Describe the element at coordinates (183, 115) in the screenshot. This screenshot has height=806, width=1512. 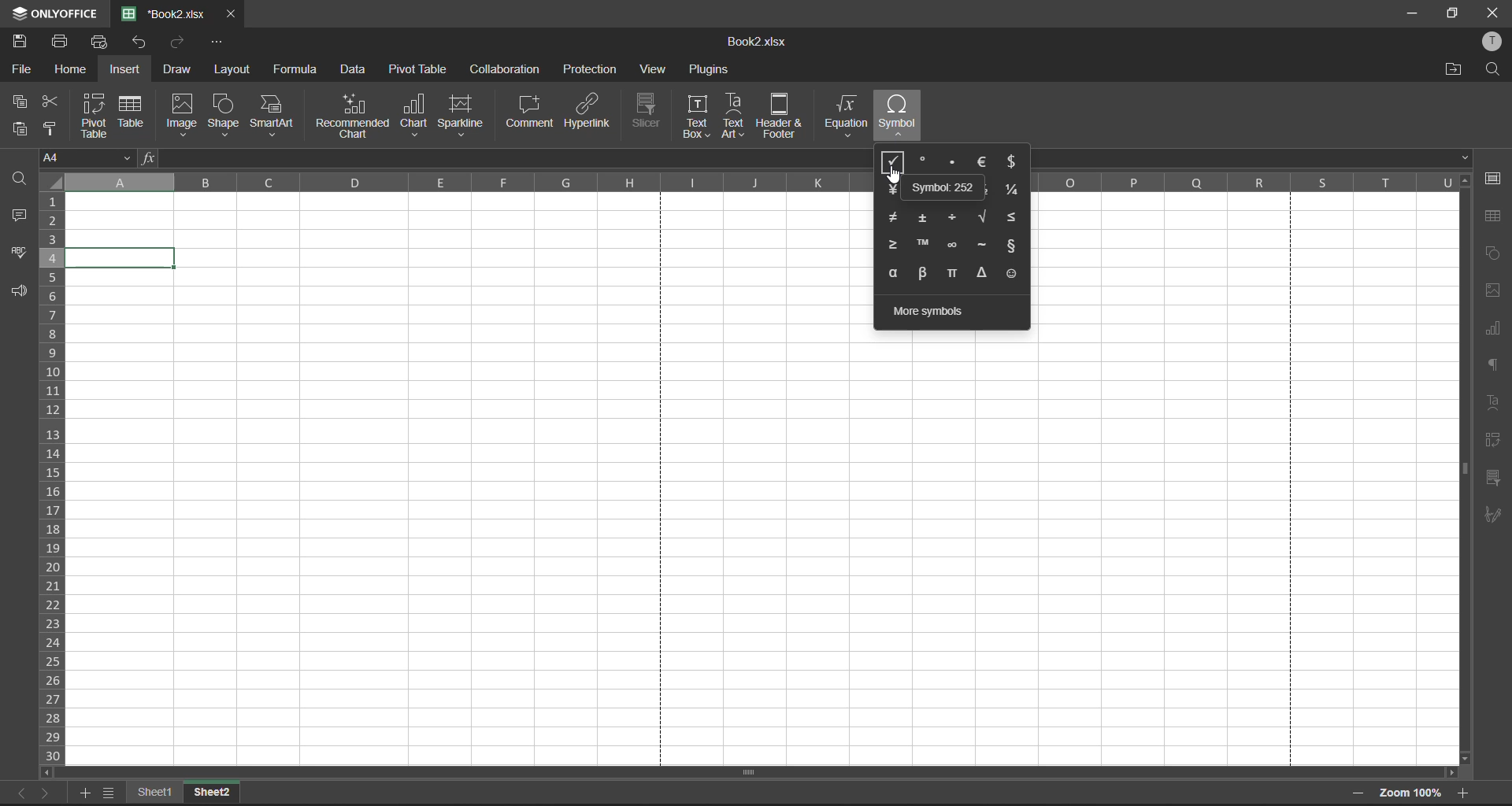
I see `image` at that location.